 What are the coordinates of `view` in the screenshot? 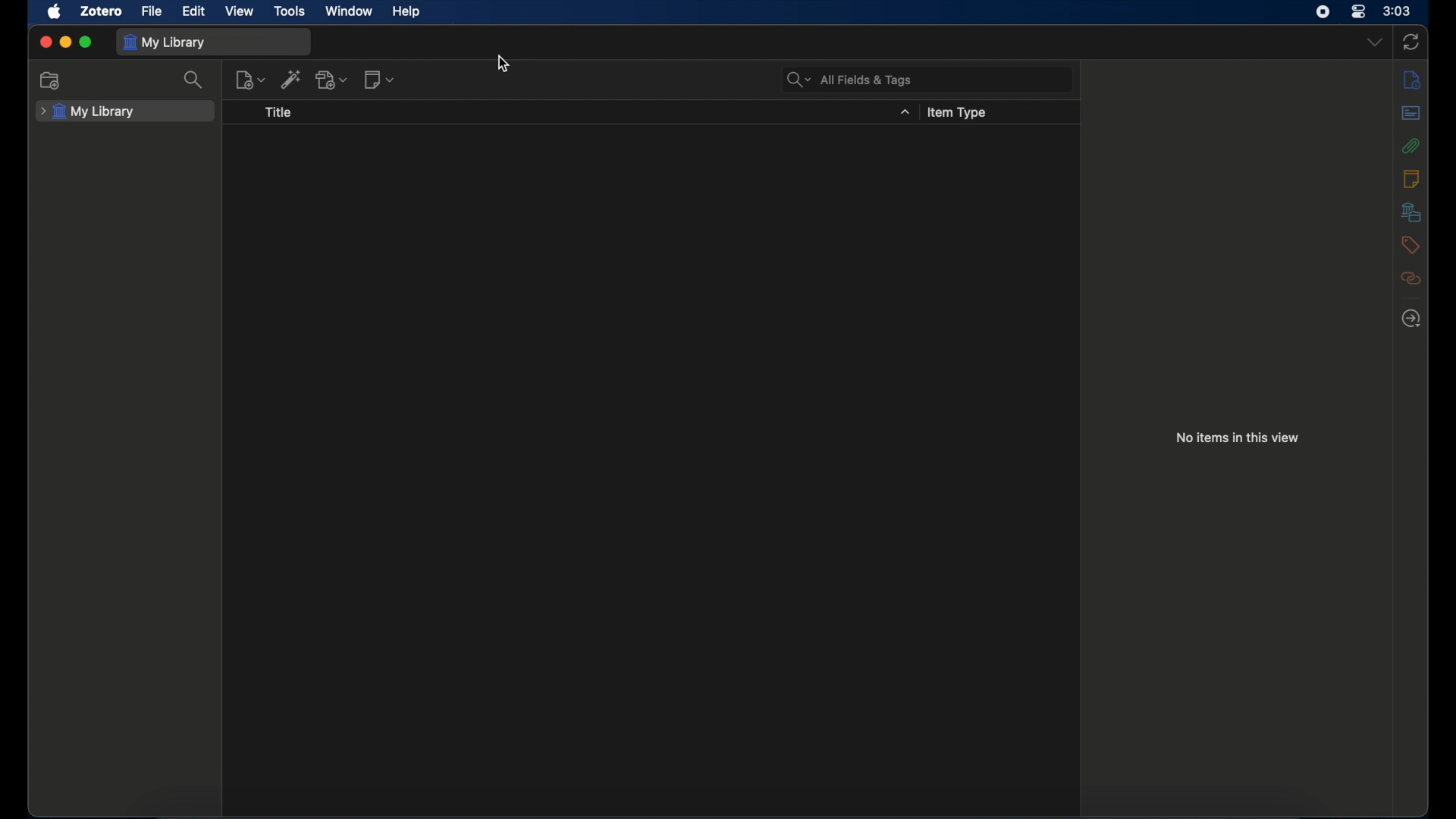 It's located at (240, 11).